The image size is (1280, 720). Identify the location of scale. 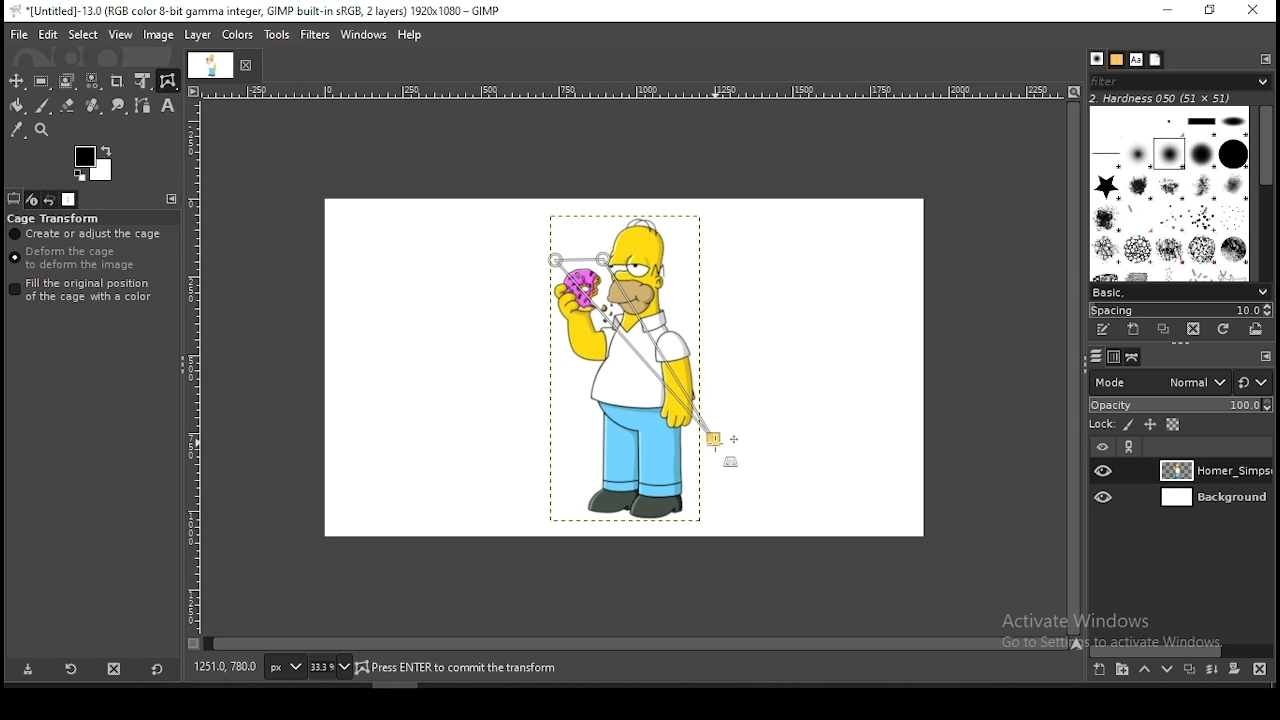
(193, 372).